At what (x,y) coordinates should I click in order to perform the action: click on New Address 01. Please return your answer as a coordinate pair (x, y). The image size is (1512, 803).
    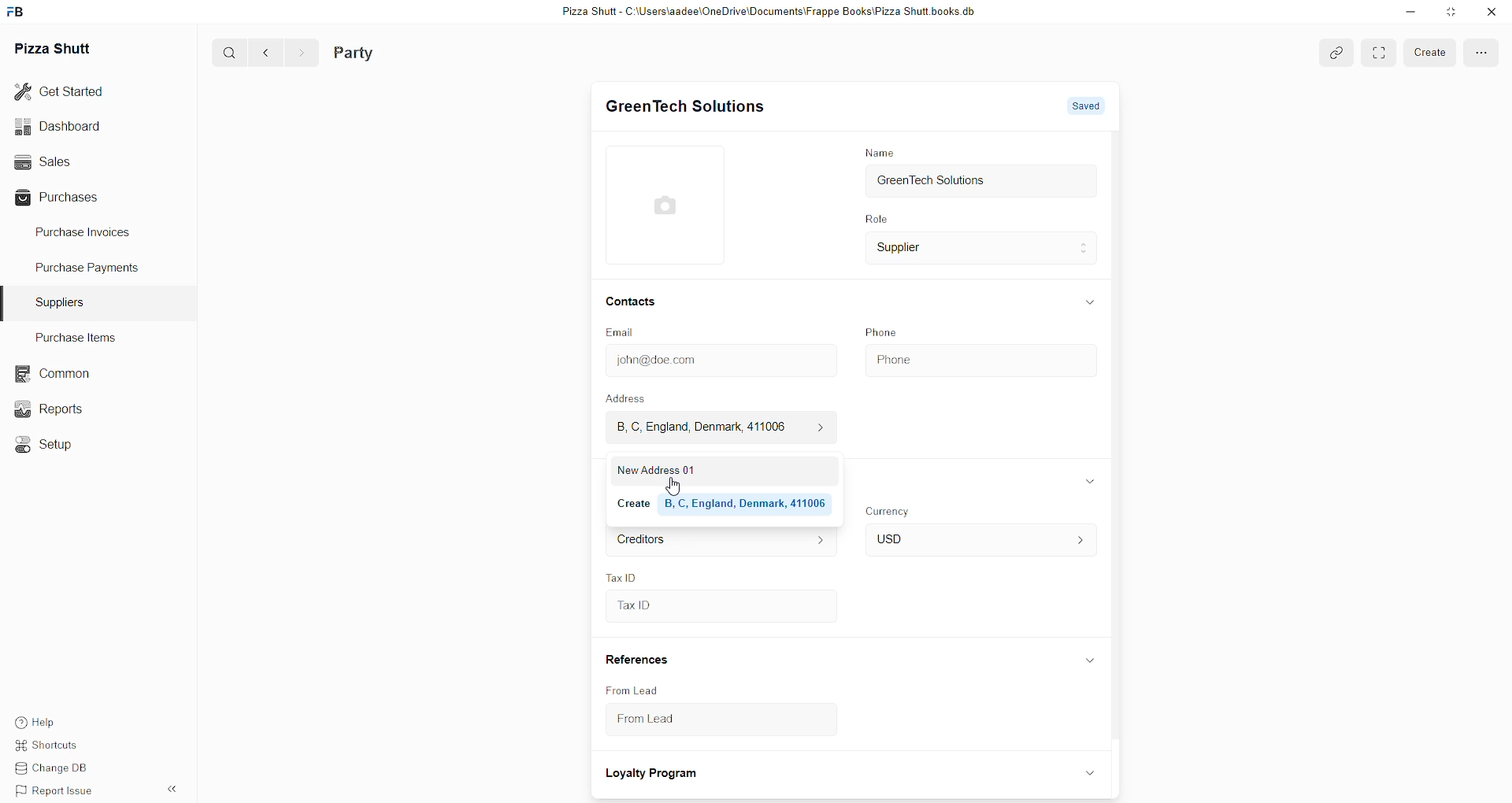
    Looking at the image, I should click on (719, 470).